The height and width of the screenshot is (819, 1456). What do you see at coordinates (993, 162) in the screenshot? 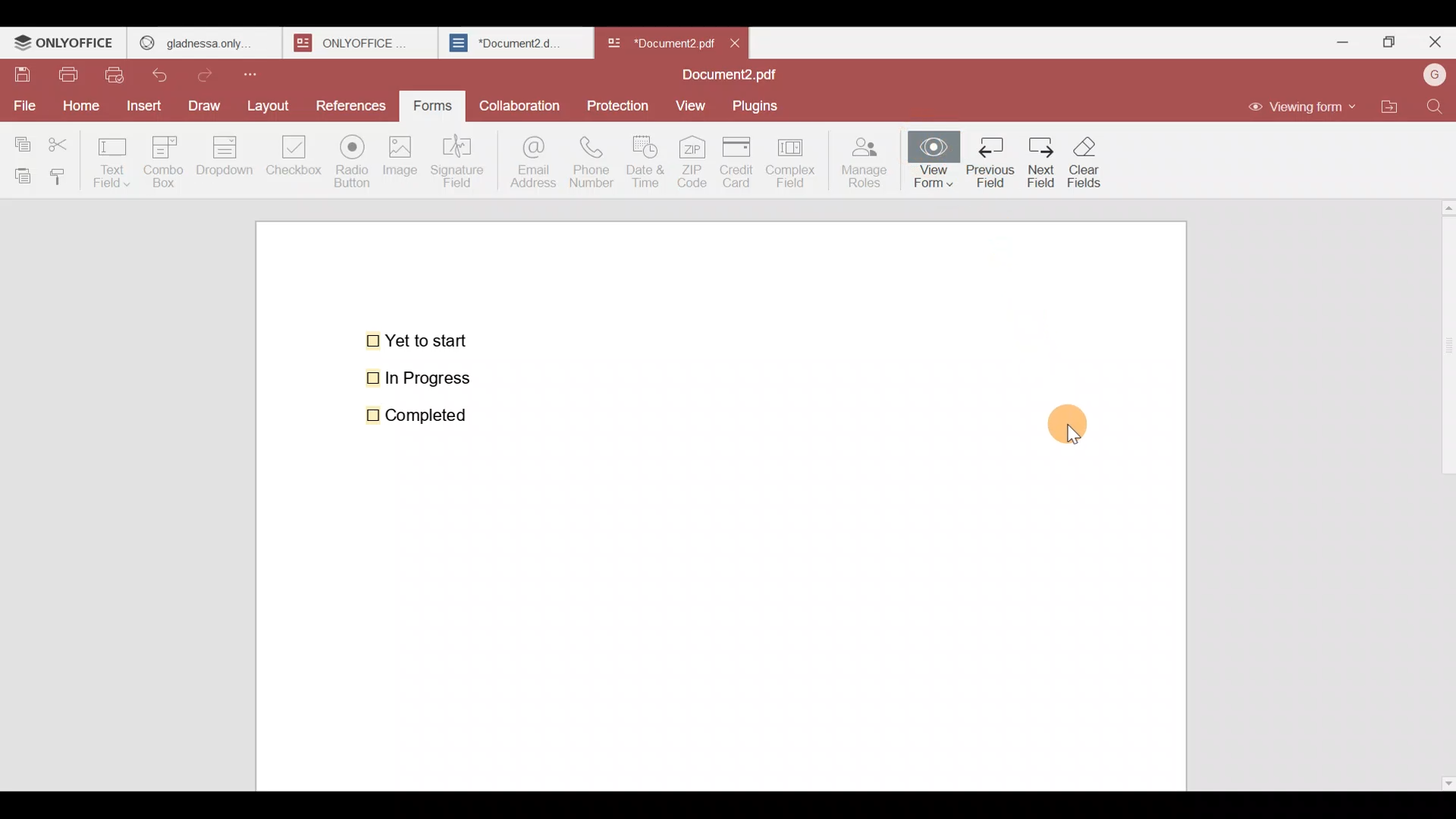
I see `previous field` at bounding box center [993, 162].